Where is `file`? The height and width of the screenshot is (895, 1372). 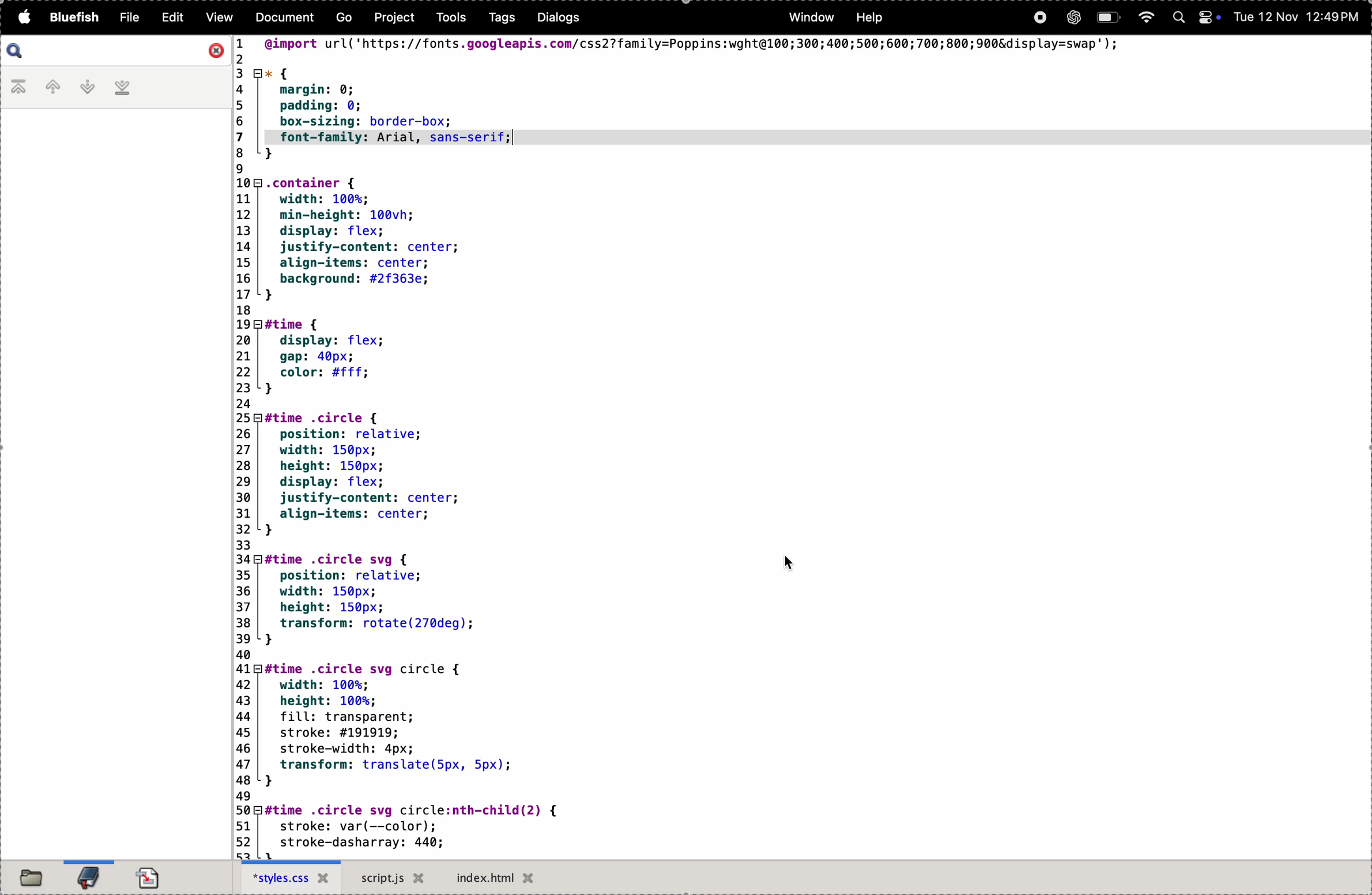
file is located at coordinates (127, 16).